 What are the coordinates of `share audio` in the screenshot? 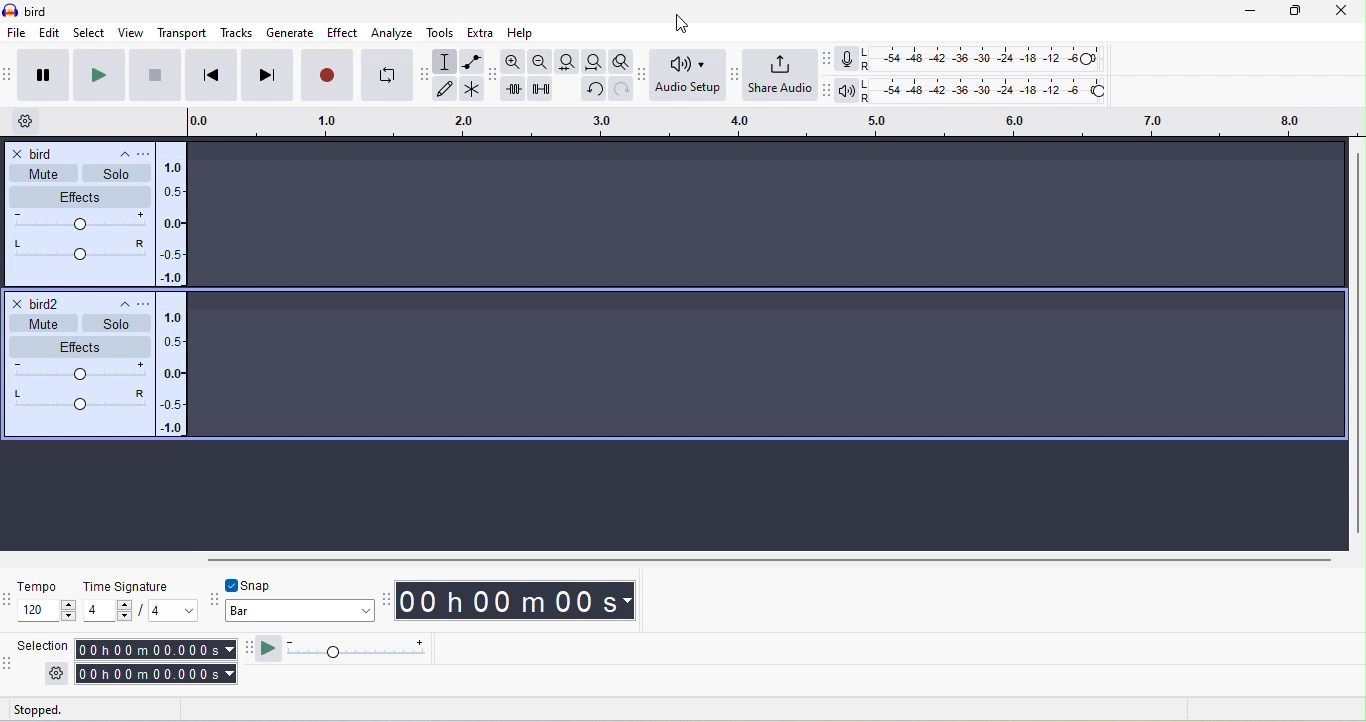 It's located at (783, 76).